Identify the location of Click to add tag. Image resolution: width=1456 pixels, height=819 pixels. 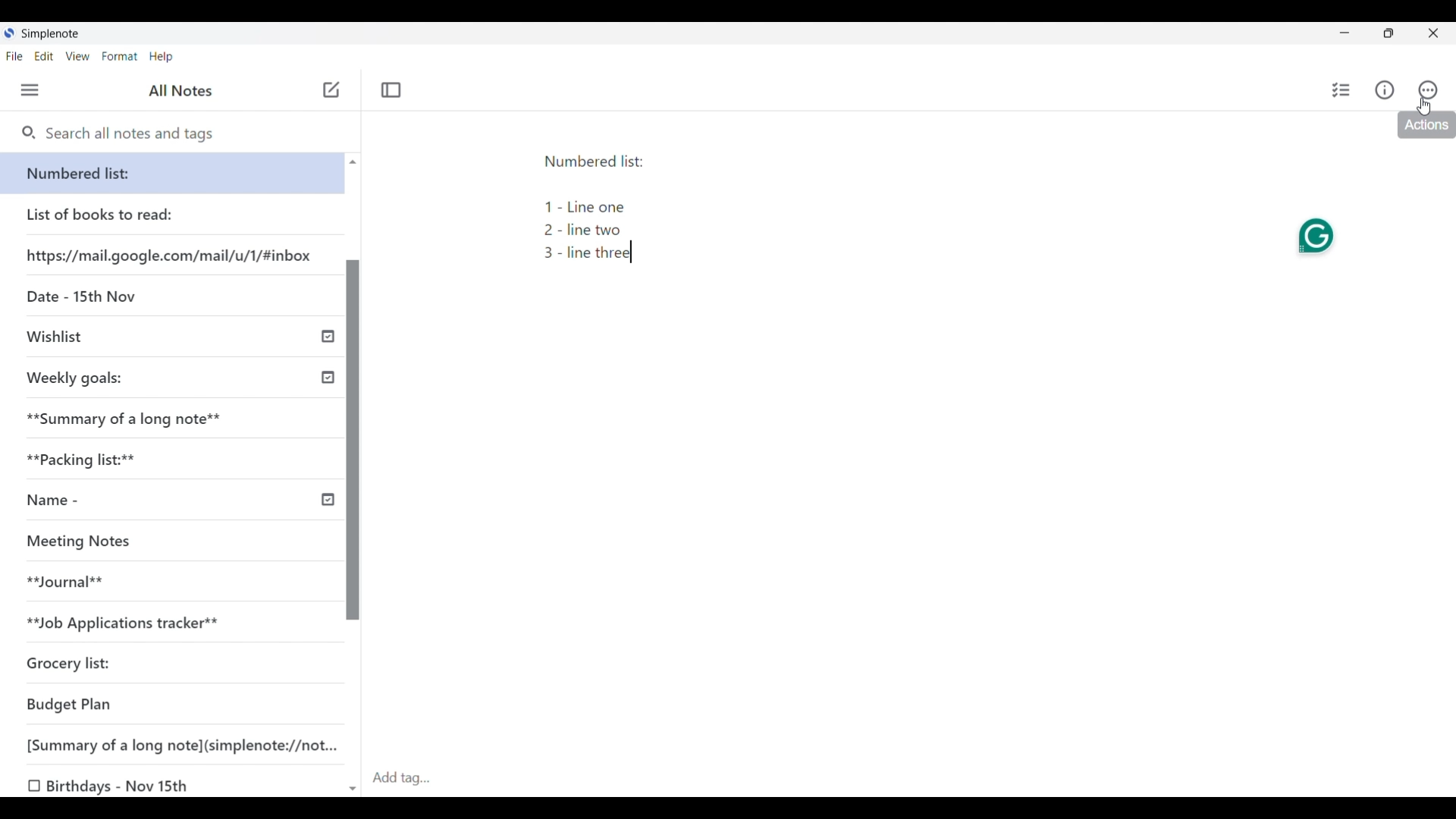
(911, 779).